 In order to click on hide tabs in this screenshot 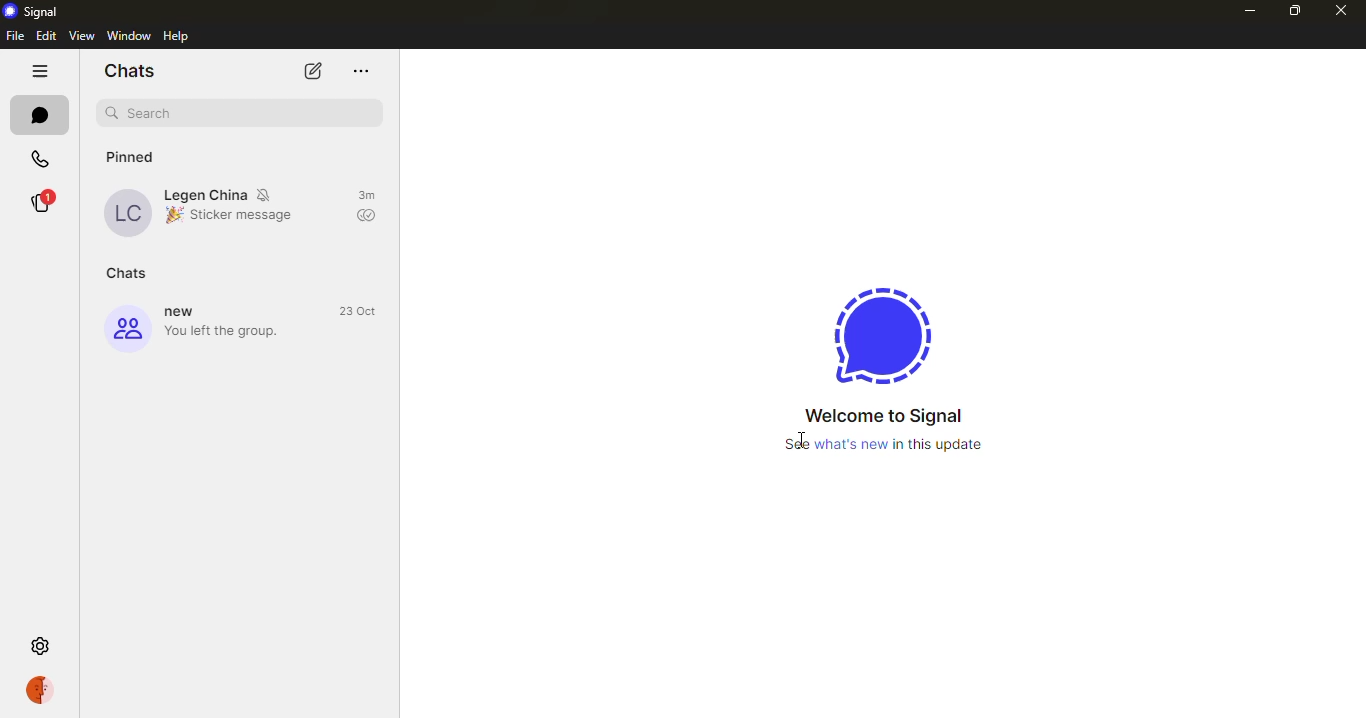, I will do `click(37, 69)`.